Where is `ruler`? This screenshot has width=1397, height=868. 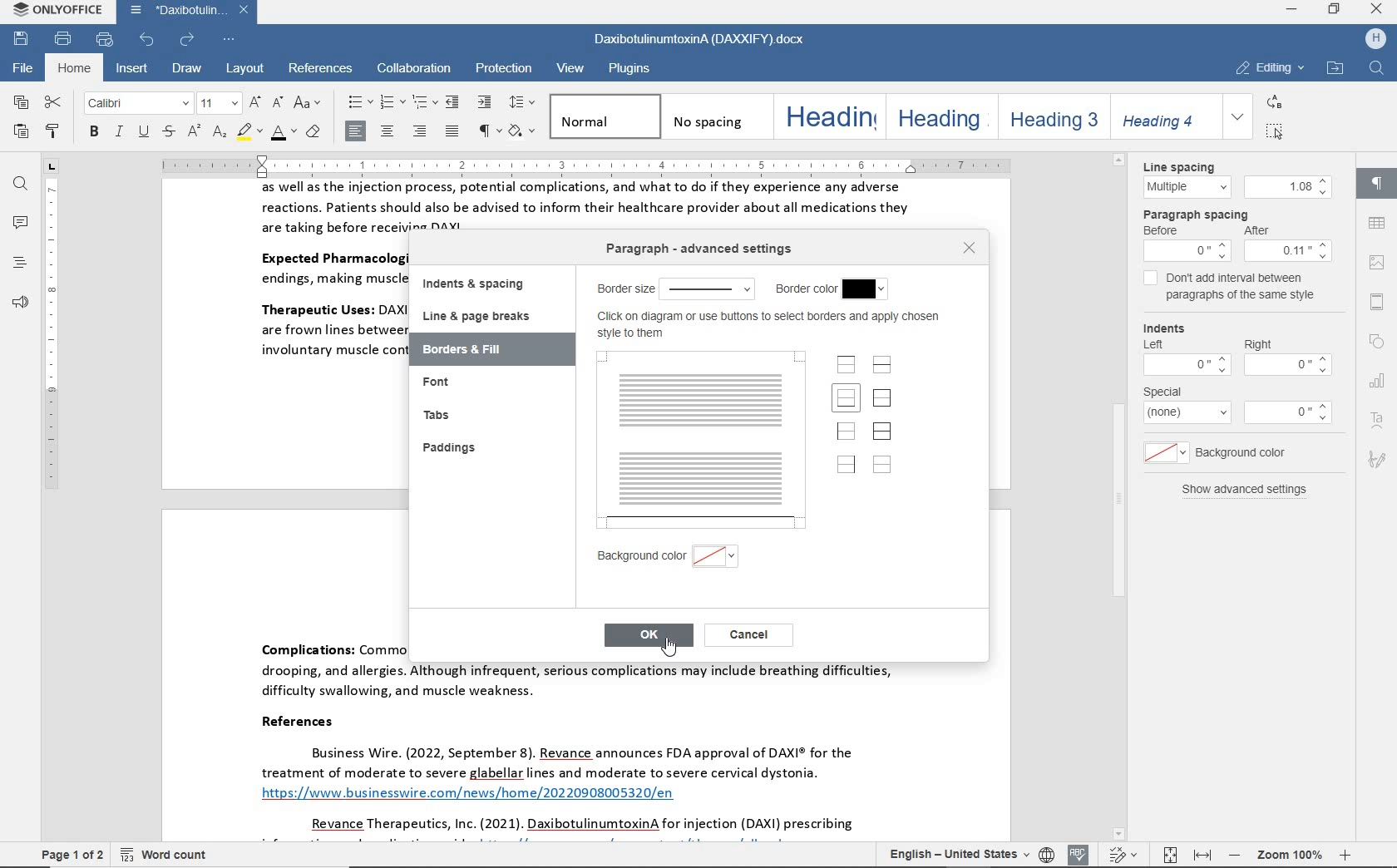
ruler is located at coordinates (52, 508).